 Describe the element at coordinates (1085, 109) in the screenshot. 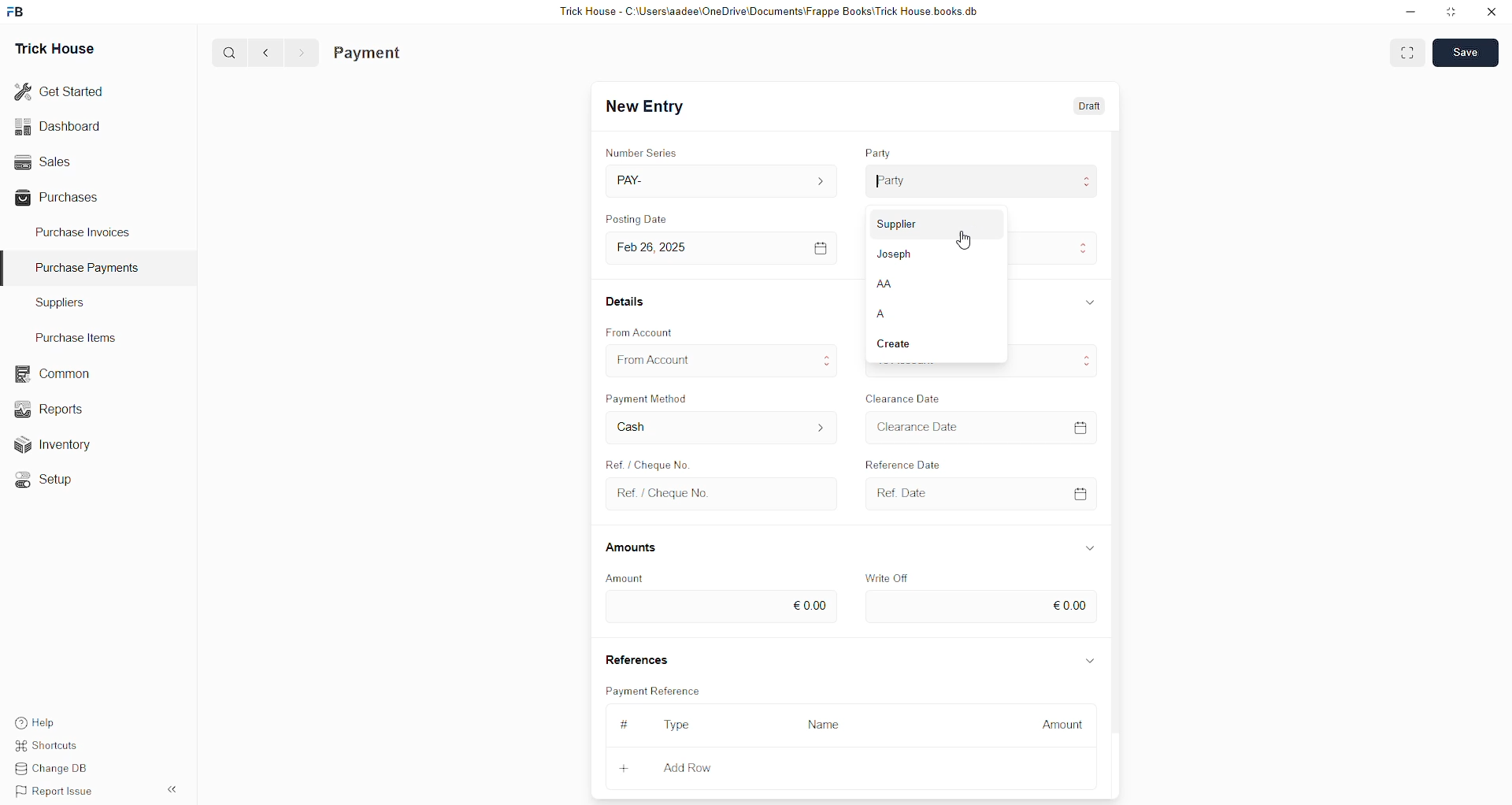

I see `Draft` at that location.